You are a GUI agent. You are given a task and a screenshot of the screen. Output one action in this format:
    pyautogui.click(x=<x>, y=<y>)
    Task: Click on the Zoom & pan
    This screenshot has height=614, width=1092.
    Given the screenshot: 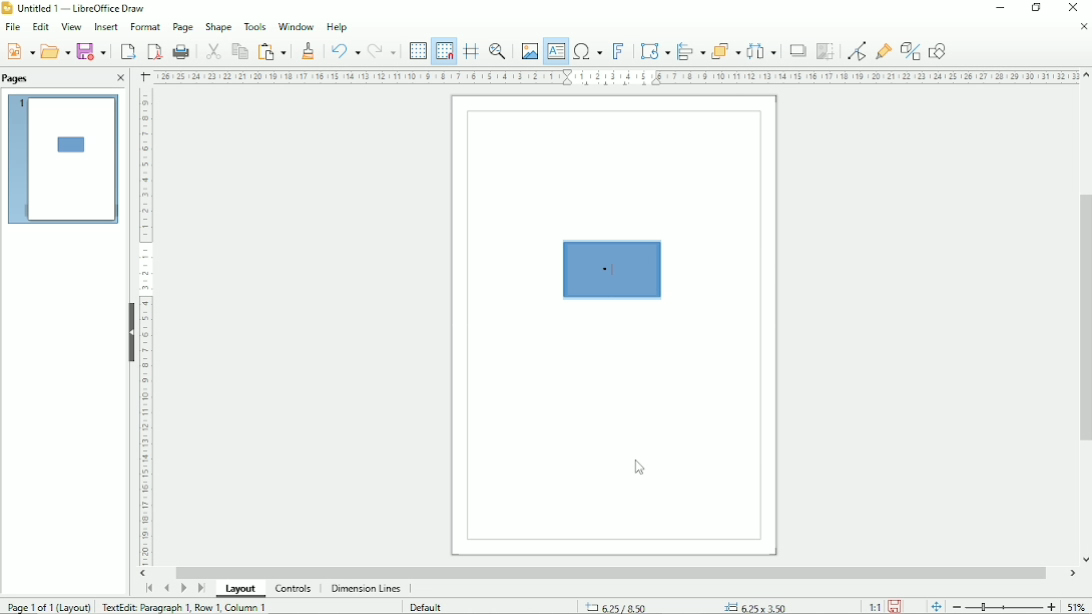 What is the action you would take?
    pyautogui.click(x=499, y=49)
    